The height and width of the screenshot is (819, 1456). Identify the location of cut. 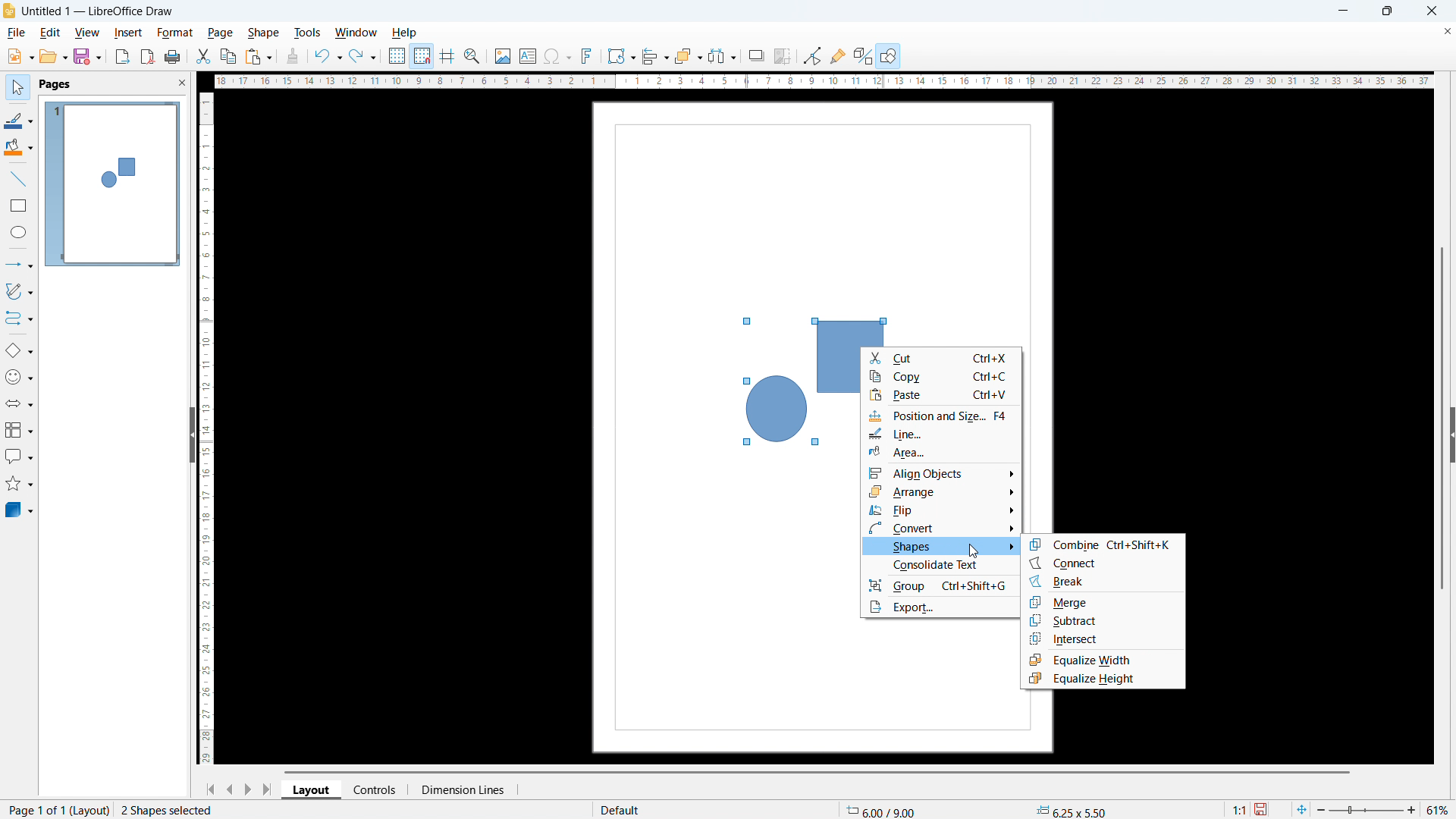
(204, 57).